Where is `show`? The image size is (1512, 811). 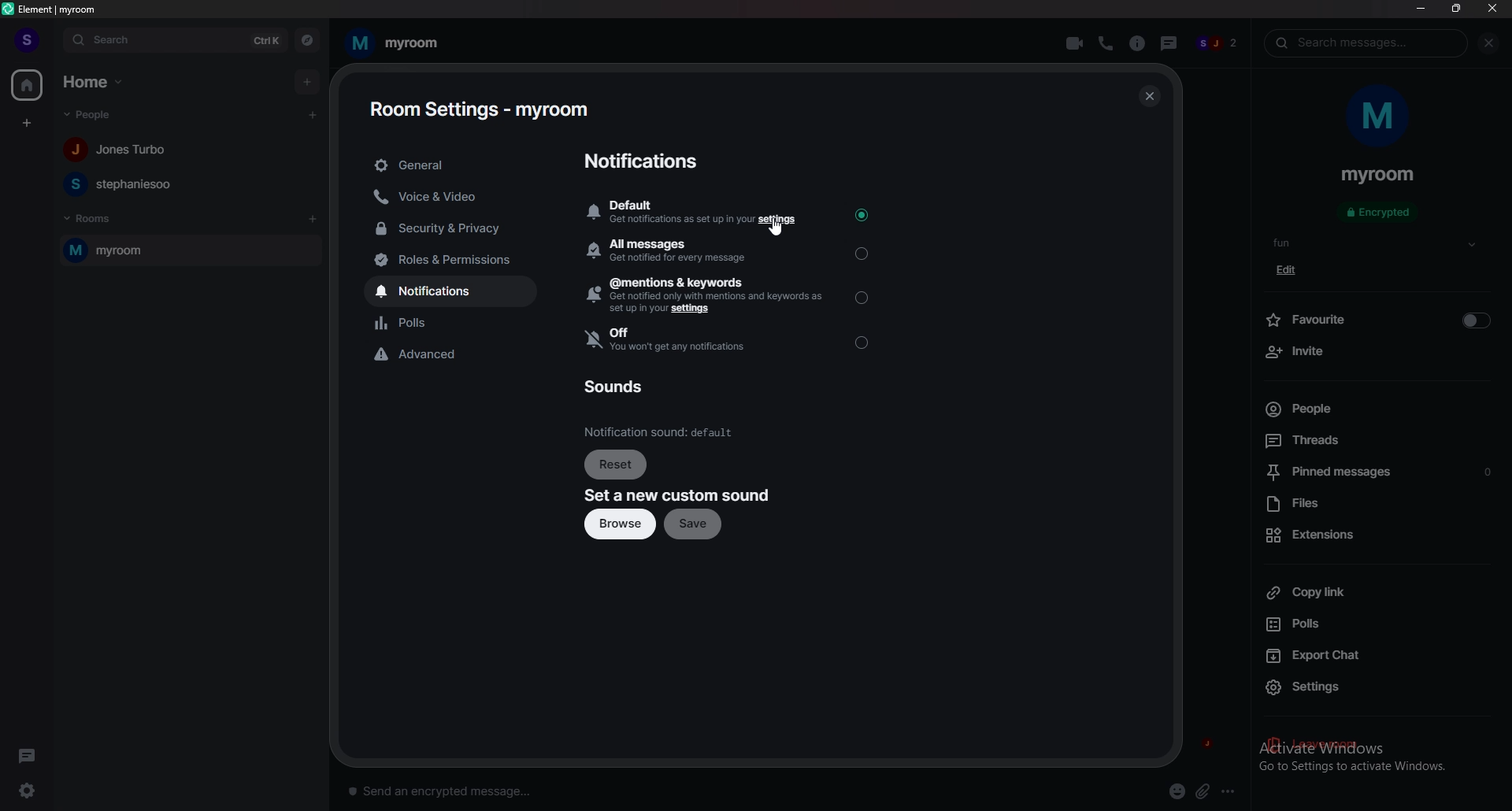
show is located at coordinates (1472, 245).